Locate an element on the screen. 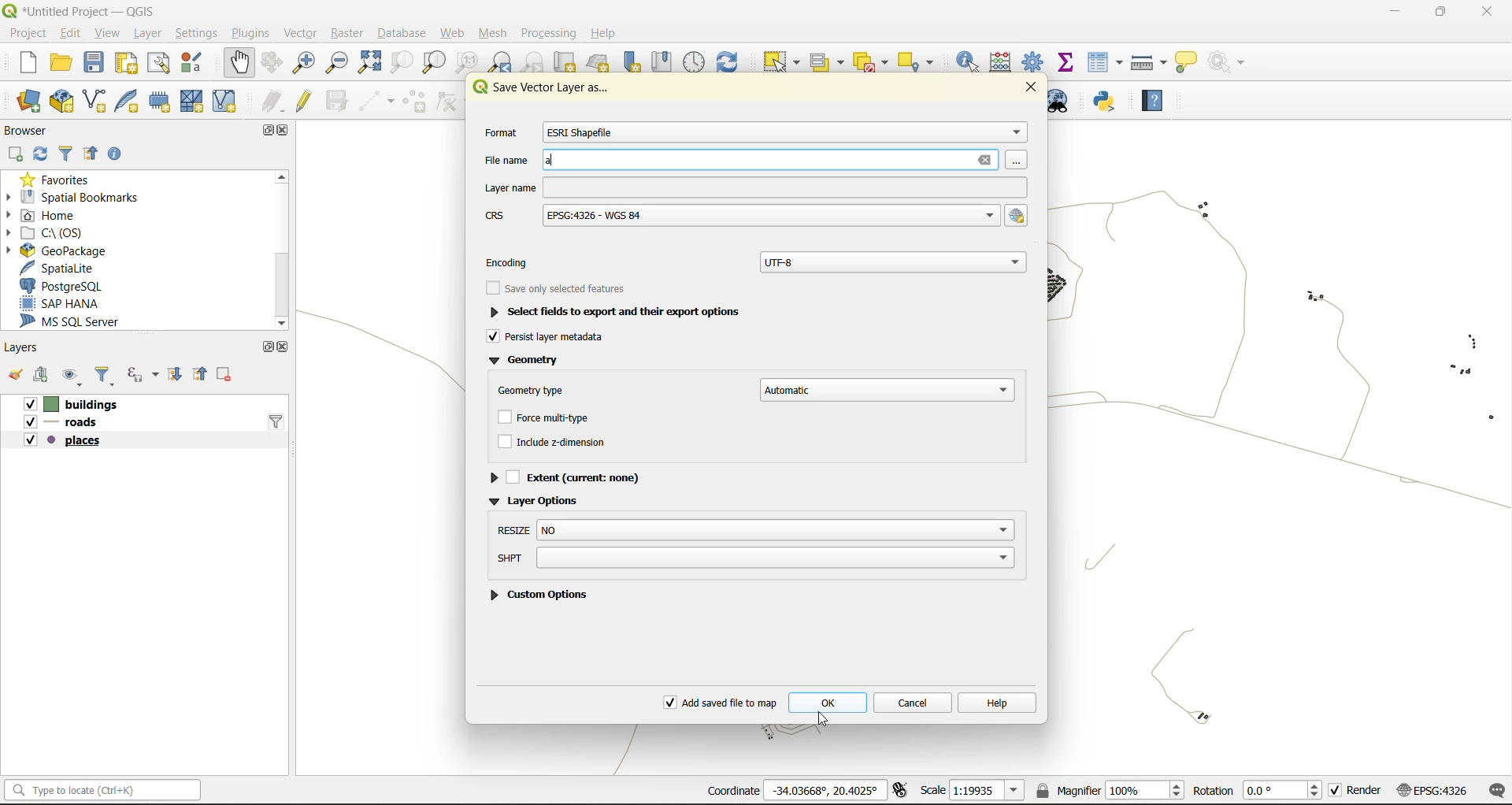  collapse all is located at coordinates (204, 376).